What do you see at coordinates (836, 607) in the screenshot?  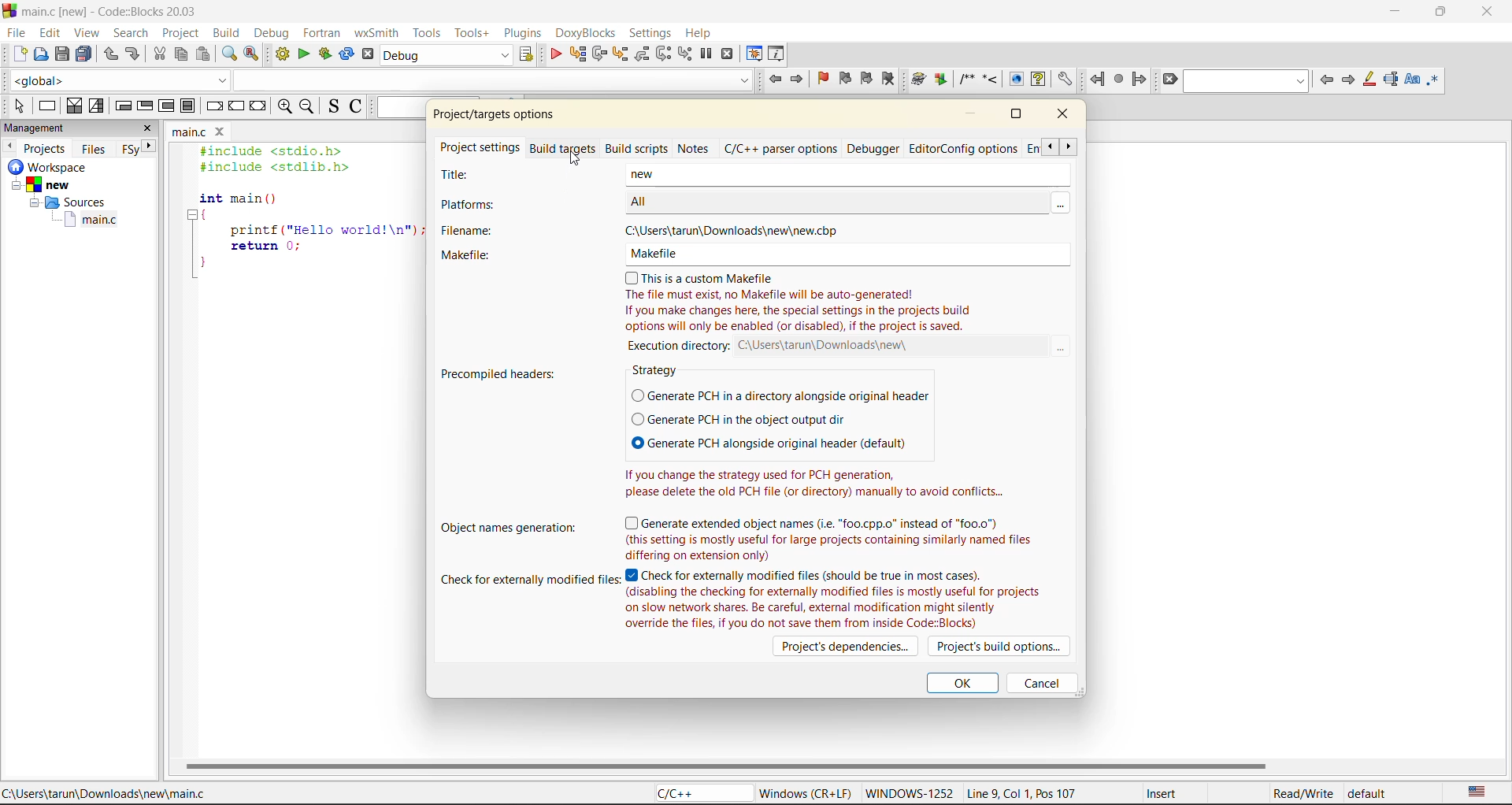 I see `(disabling the checking for externally modified files is mostly useful for projects
on slow network shares. Be careful, external modification might silently
override the files, if you do not save them from inside Code:Blocks)` at bounding box center [836, 607].